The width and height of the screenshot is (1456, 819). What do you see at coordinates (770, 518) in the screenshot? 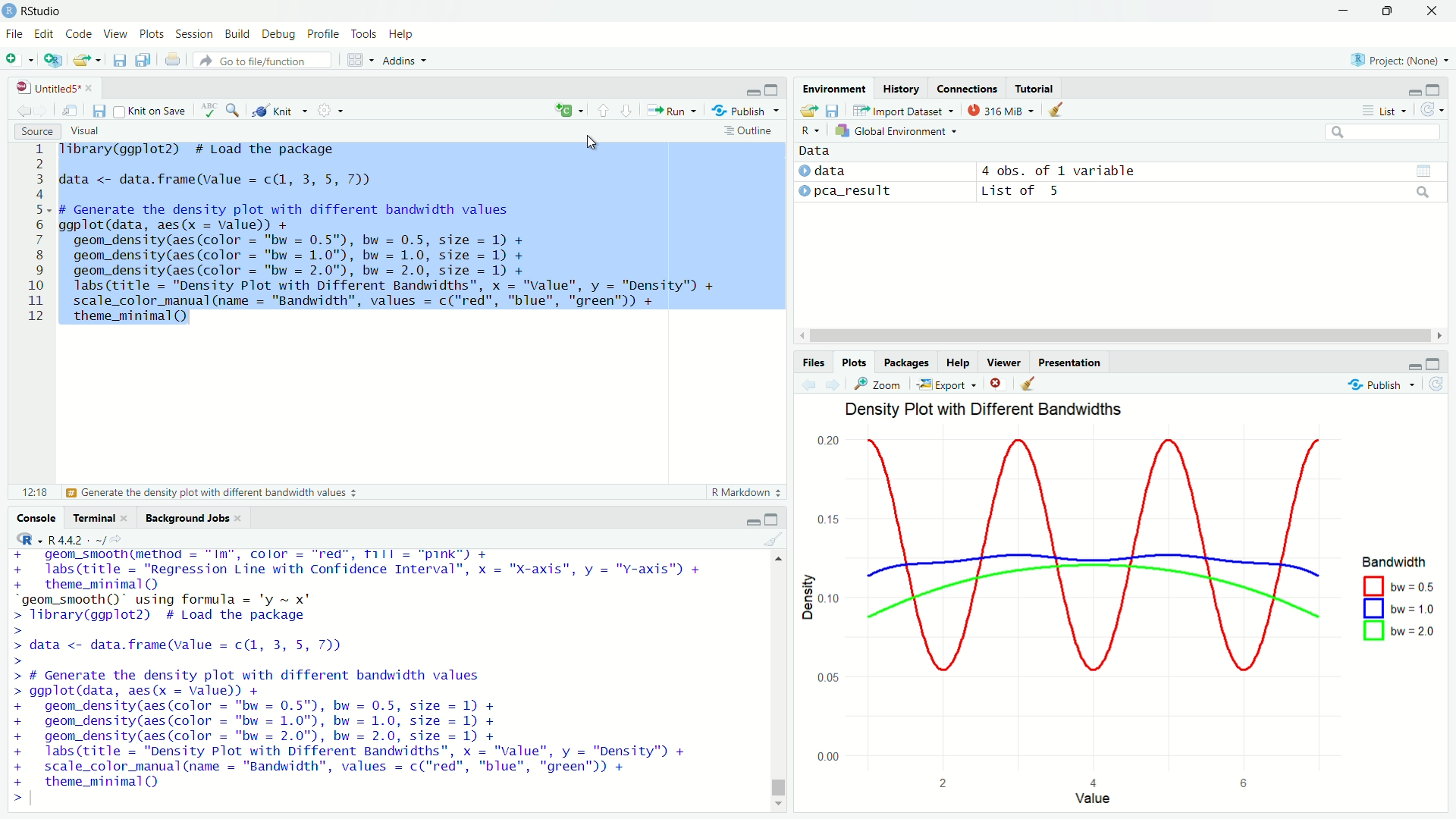
I see `maximize` at bounding box center [770, 518].